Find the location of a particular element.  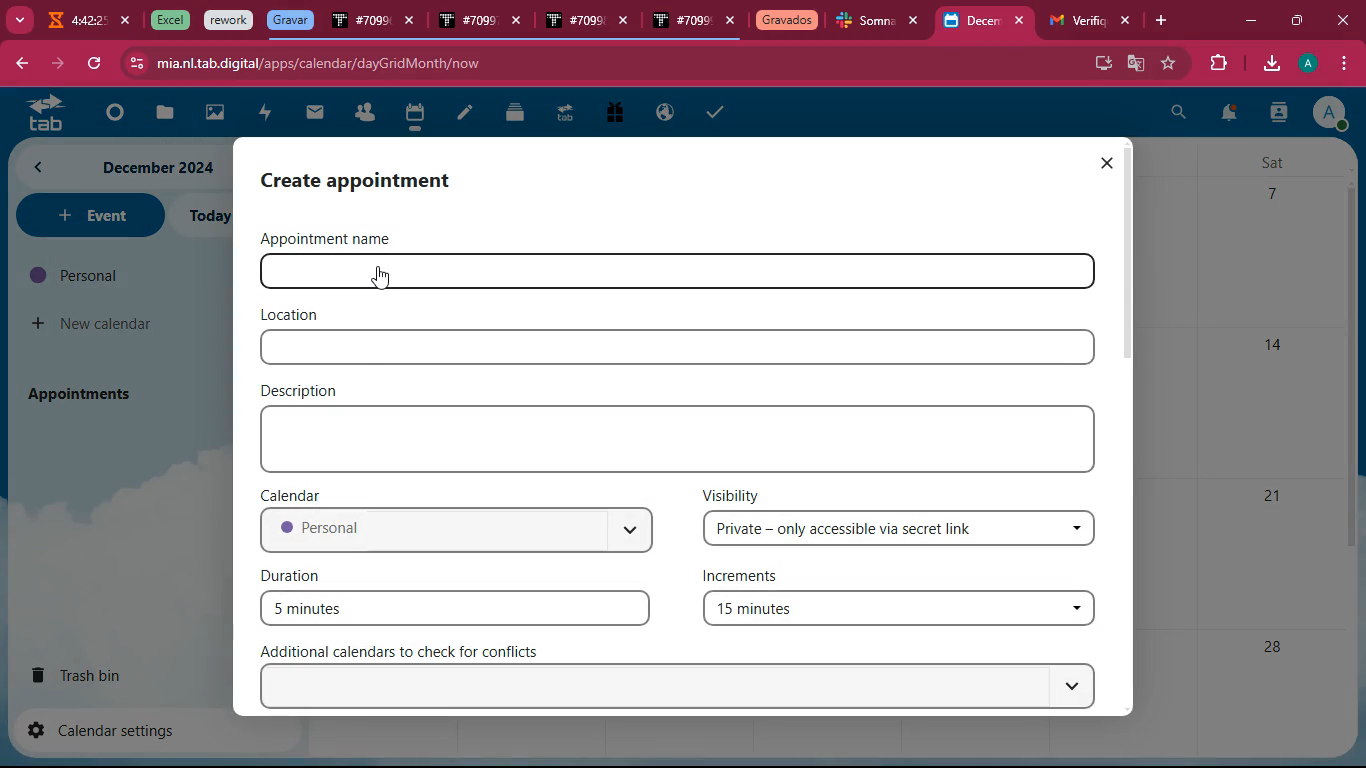

new calendar is located at coordinates (94, 324).